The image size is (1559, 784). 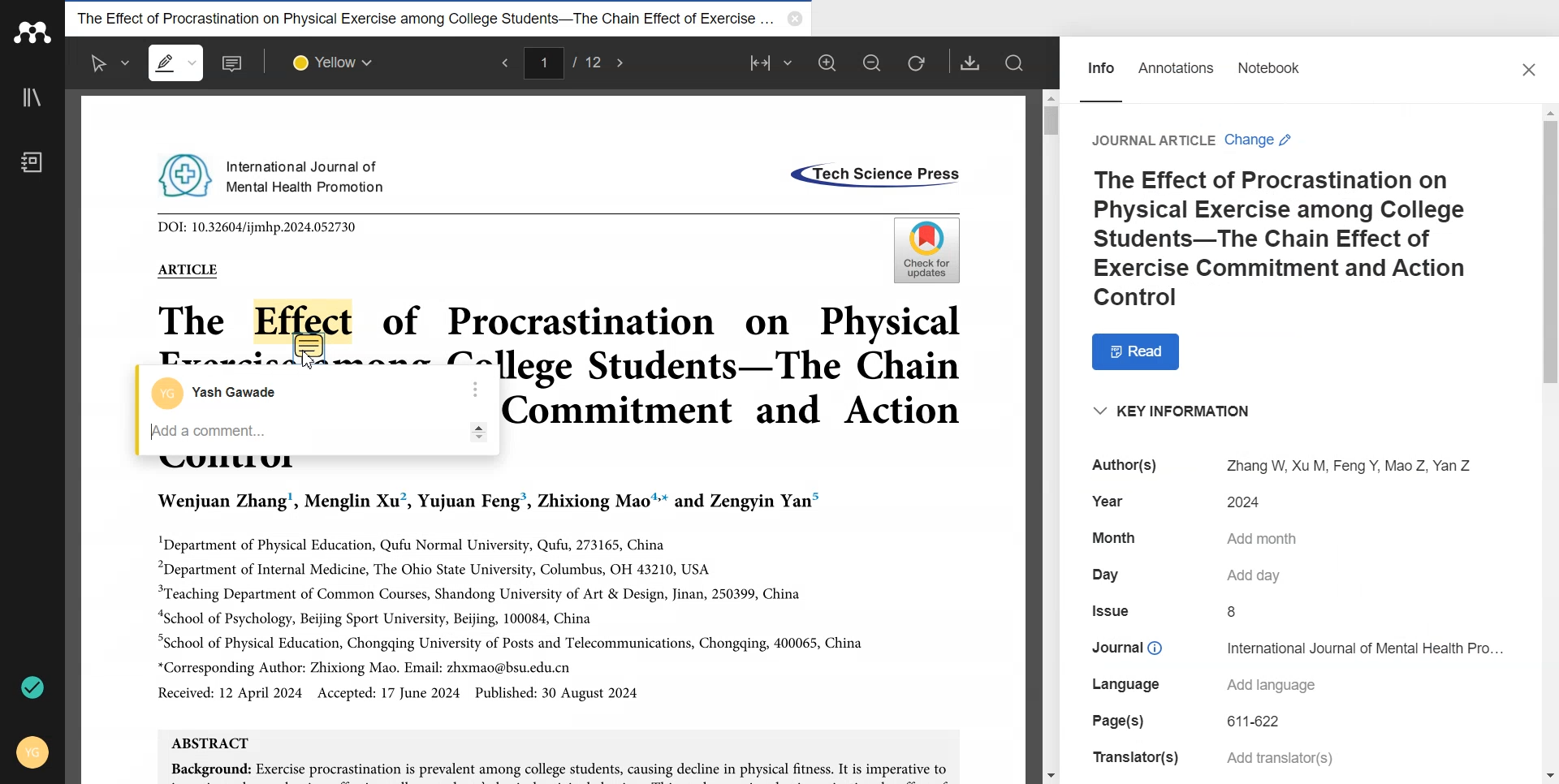 What do you see at coordinates (502, 62) in the screenshot?
I see `Previous` at bounding box center [502, 62].